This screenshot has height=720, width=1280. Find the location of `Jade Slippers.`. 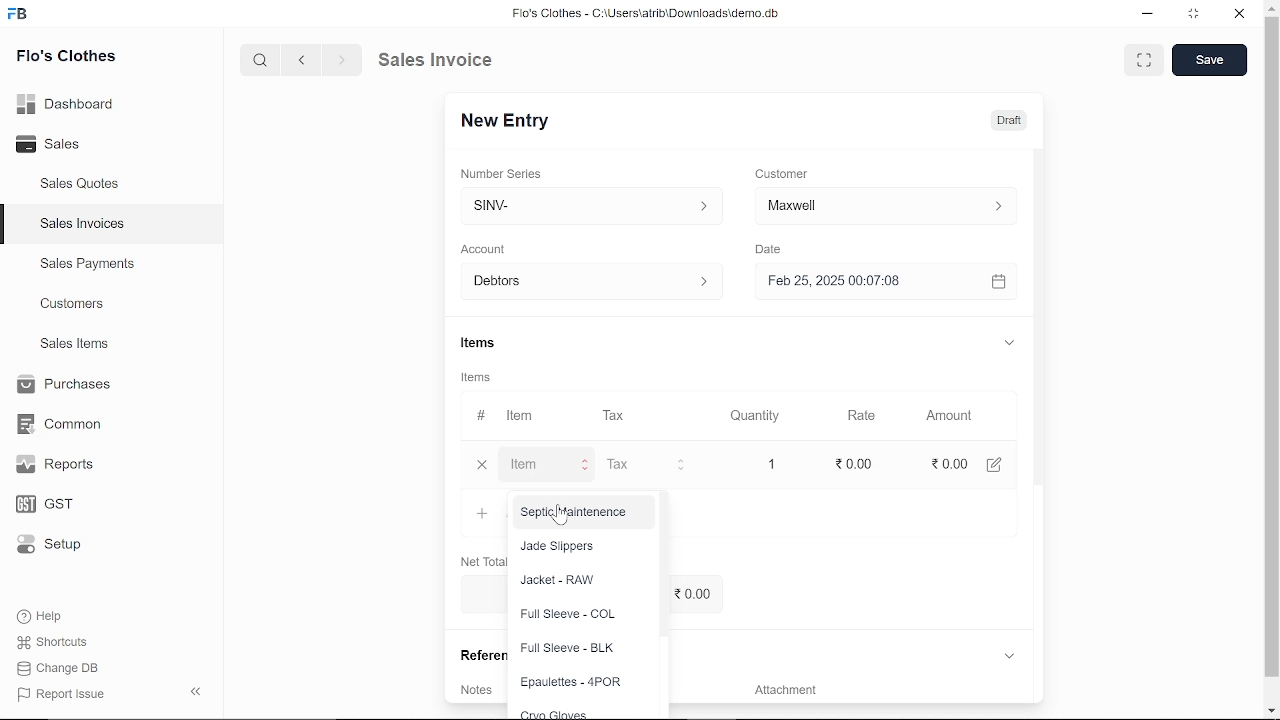

Jade Slippers. is located at coordinates (558, 548).